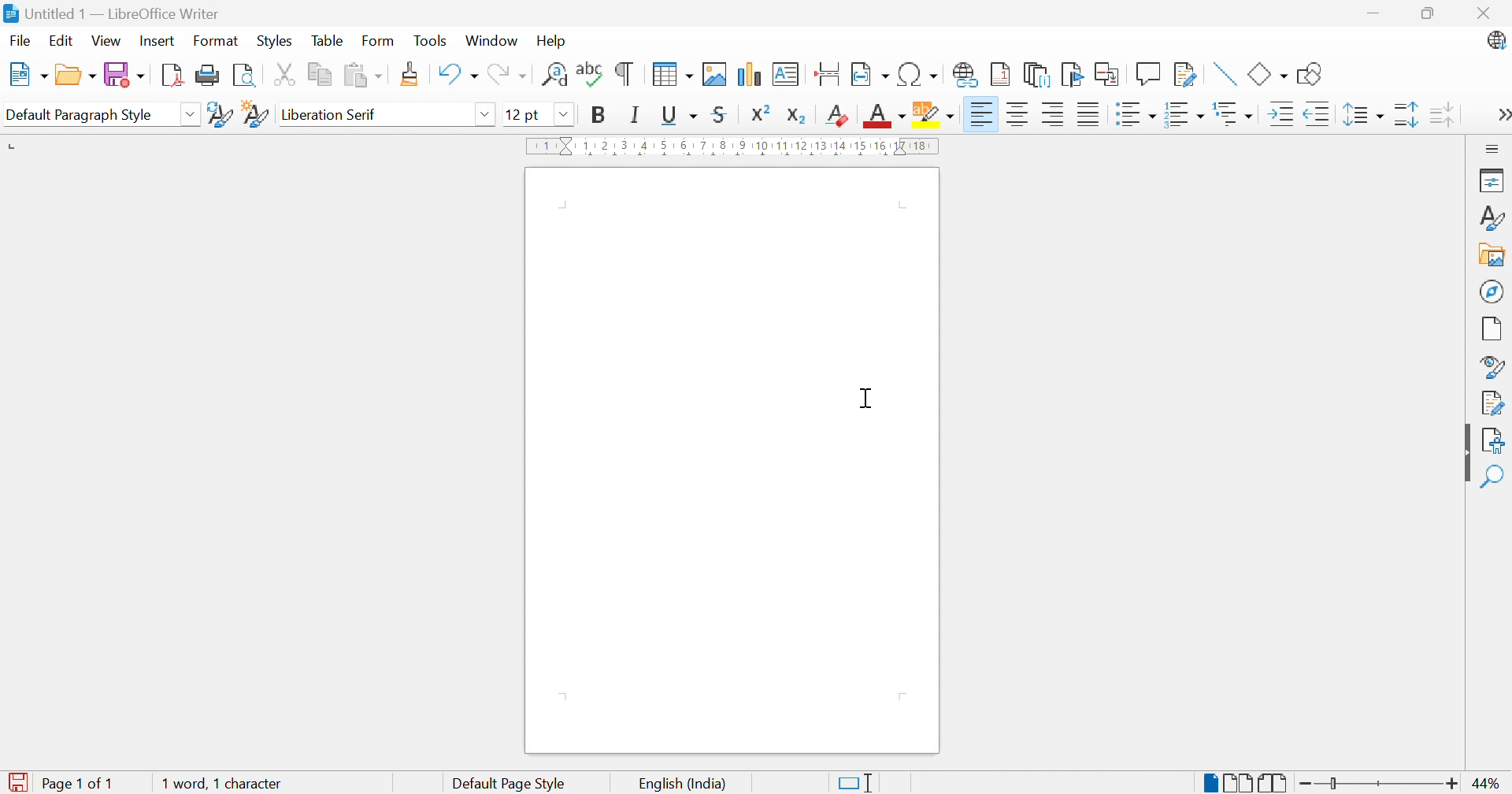 Image resolution: width=1512 pixels, height=794 pixels. What do you see at coordinates (1451, 785) in the screenshot?
I see `Zoom in` at bounding box center [1451, 785].